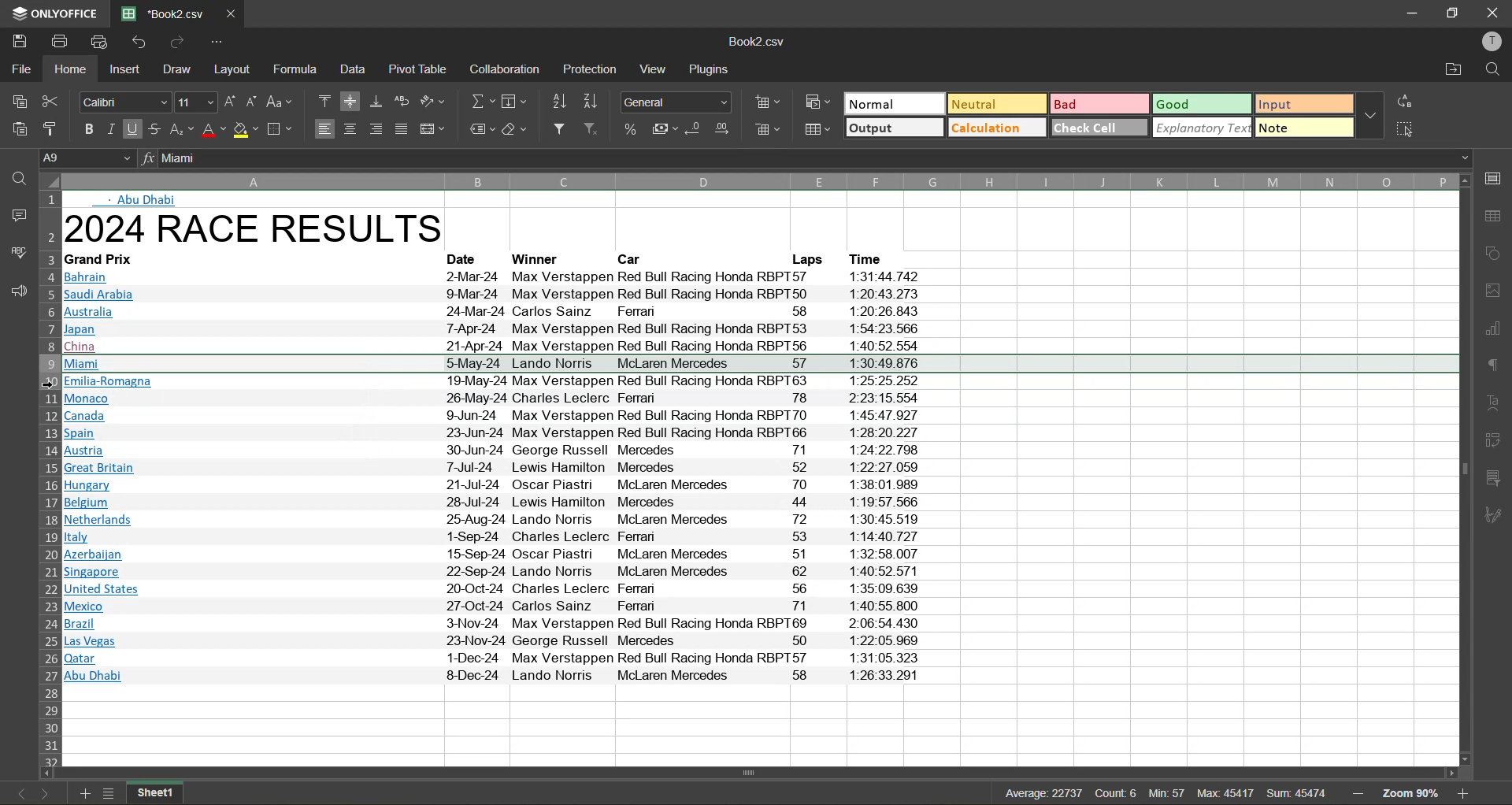 This screenshot has width=1512, height=805. I want to click on align right, so click(374, 129).